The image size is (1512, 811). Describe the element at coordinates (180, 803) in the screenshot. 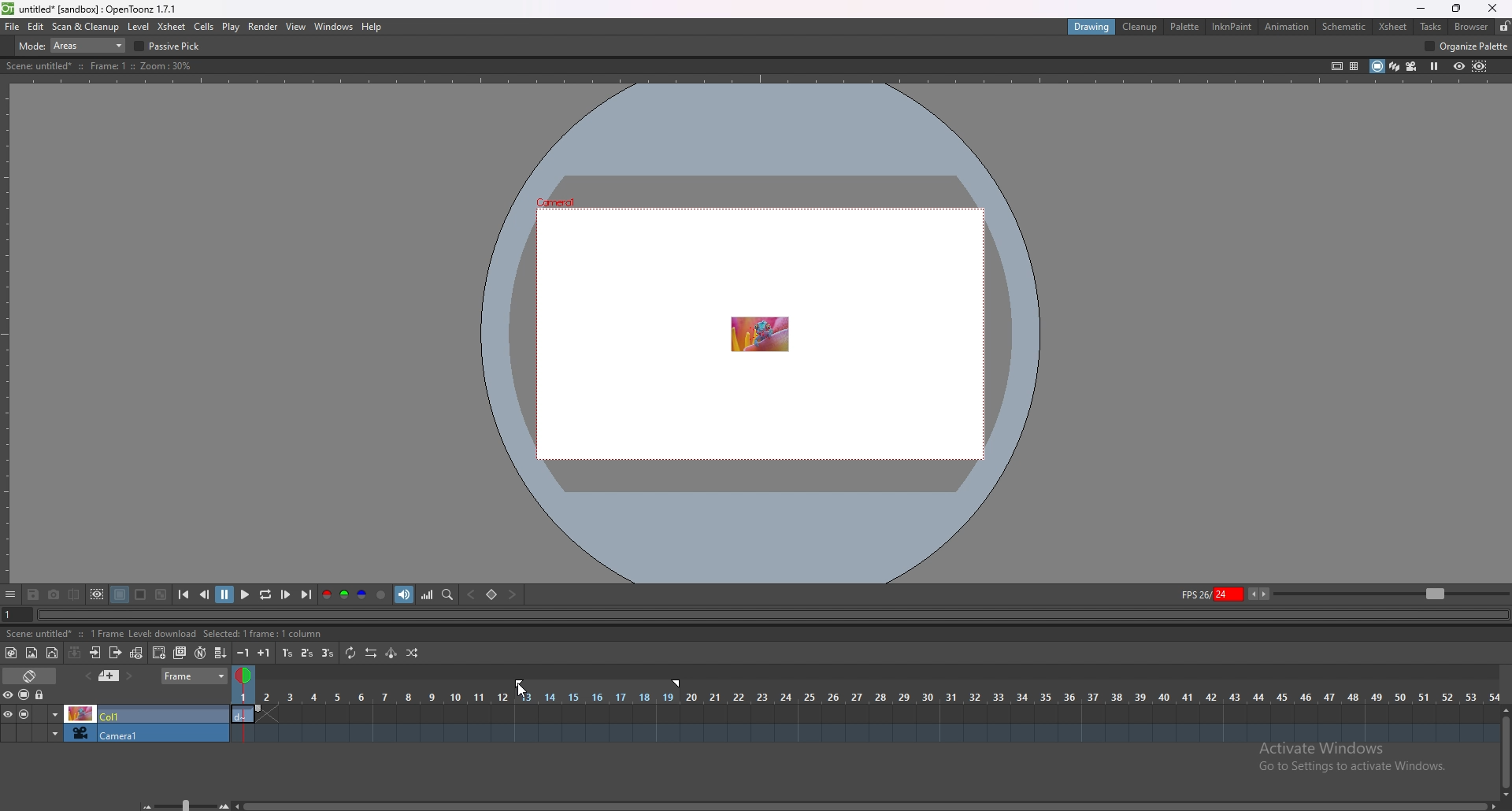

I see `zoom` at that location.